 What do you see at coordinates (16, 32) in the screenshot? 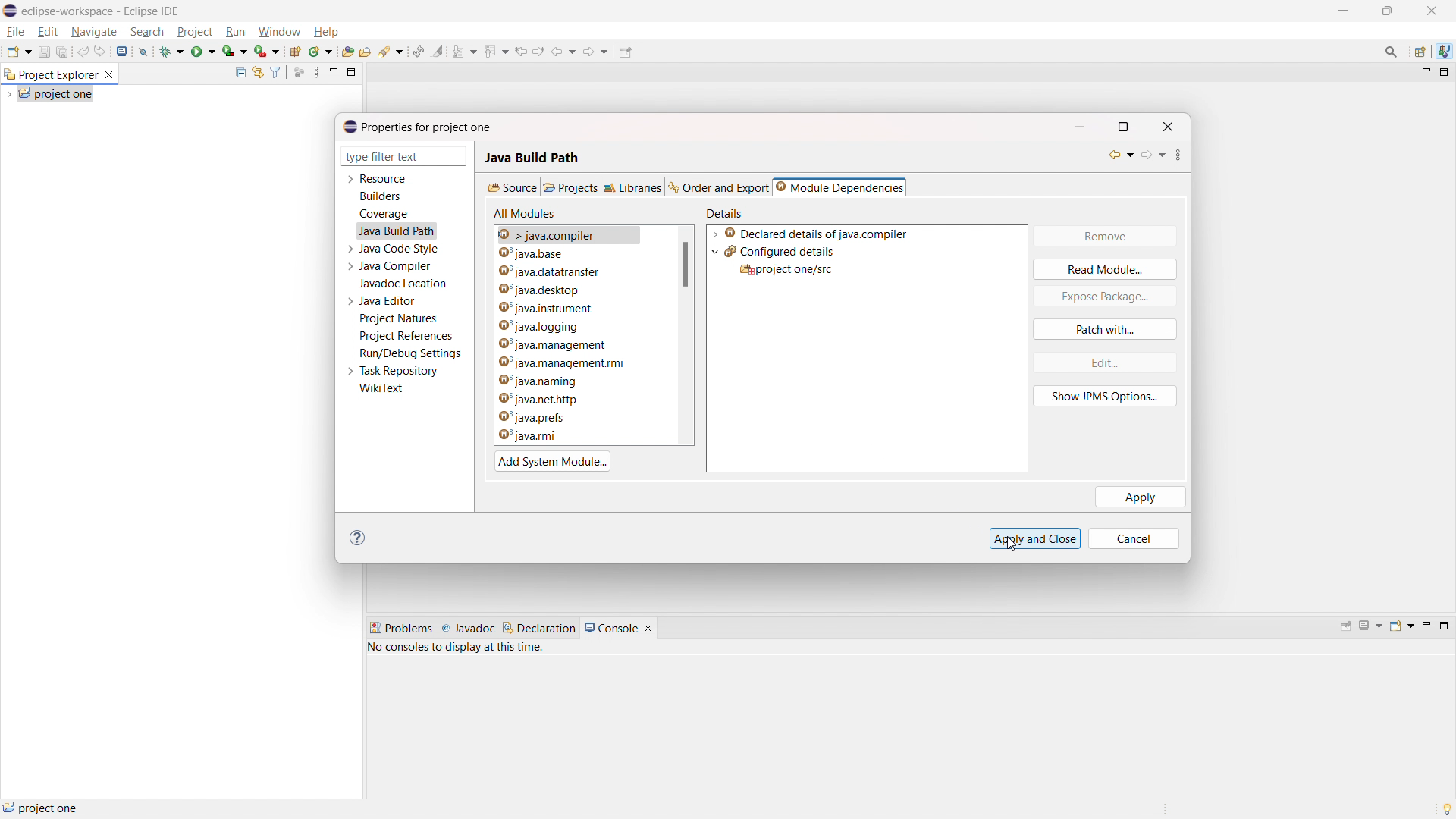
I see `file` at bounding box center [16, 32].